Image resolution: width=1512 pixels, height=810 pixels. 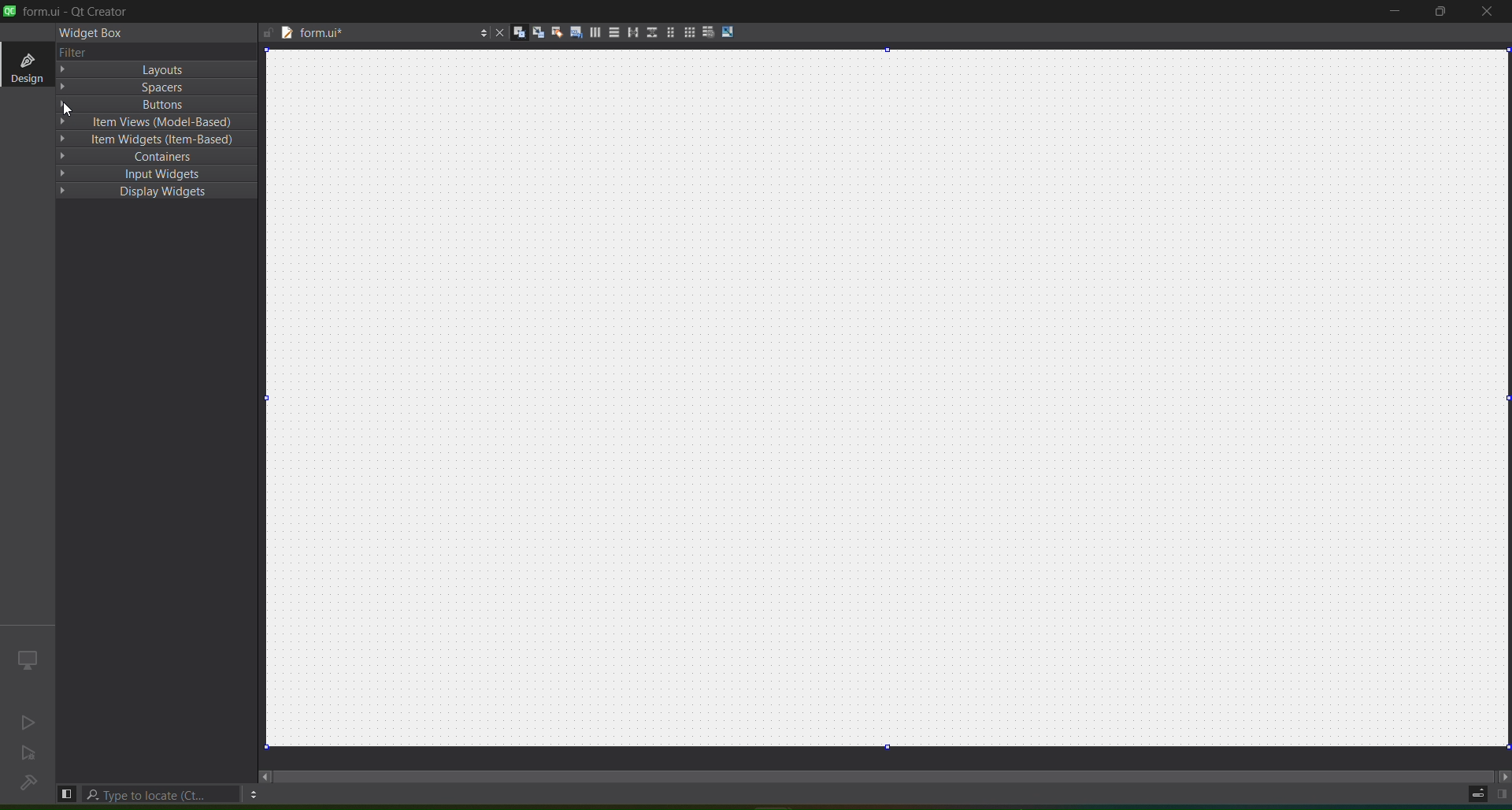 What do you see at coordinates (255, 794) in the screenshot?
I see `options` at bounding box center [255, 794].